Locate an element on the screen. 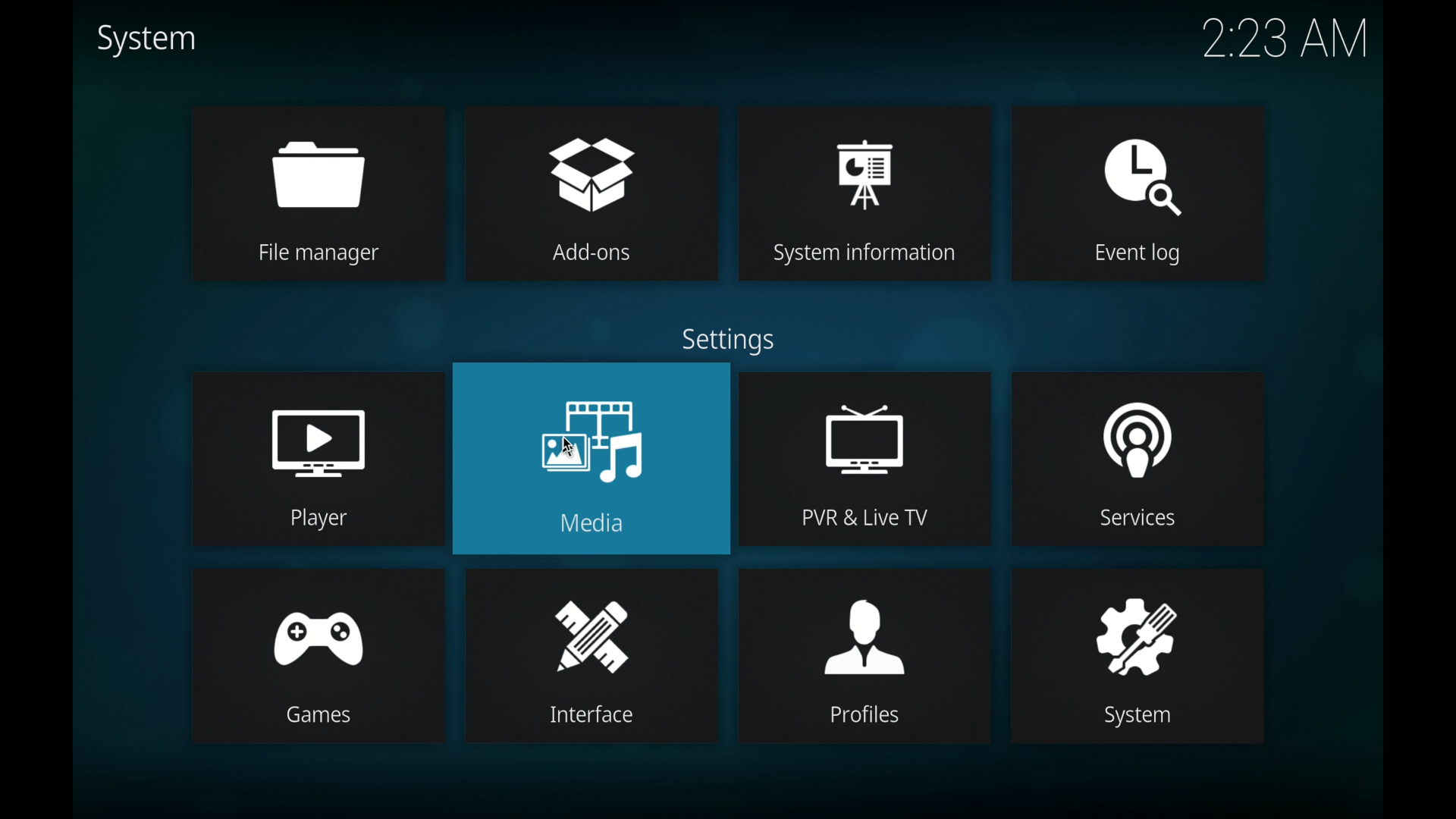 Image resolution: width=1456 pixels, height=819 pixels. event log is located at coordinates (1138, 162).